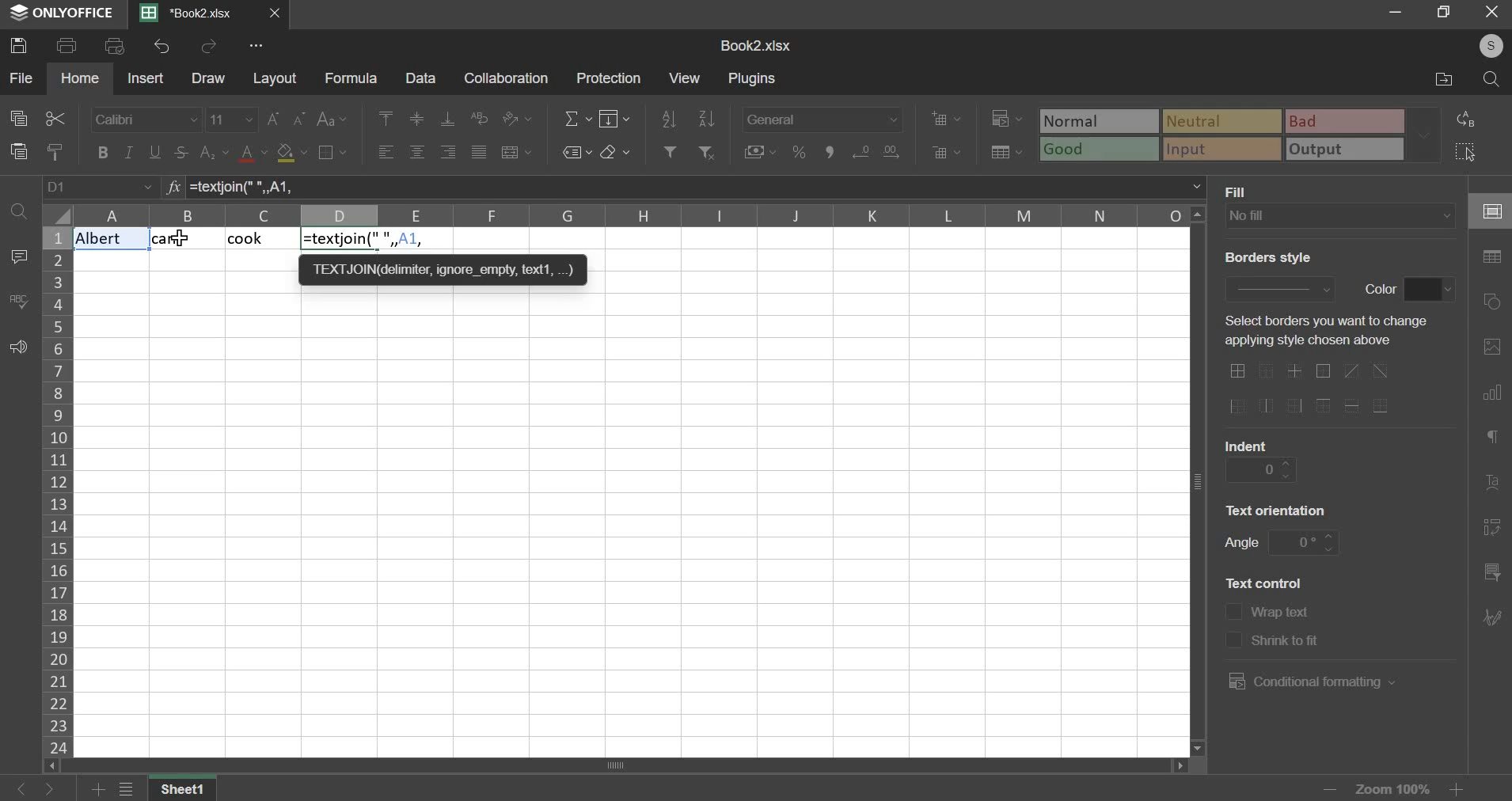 This screenshot has height=801, width=1512. Describe the element at coordinates (478, 151) in the screenshot. I see `justified` at that location.